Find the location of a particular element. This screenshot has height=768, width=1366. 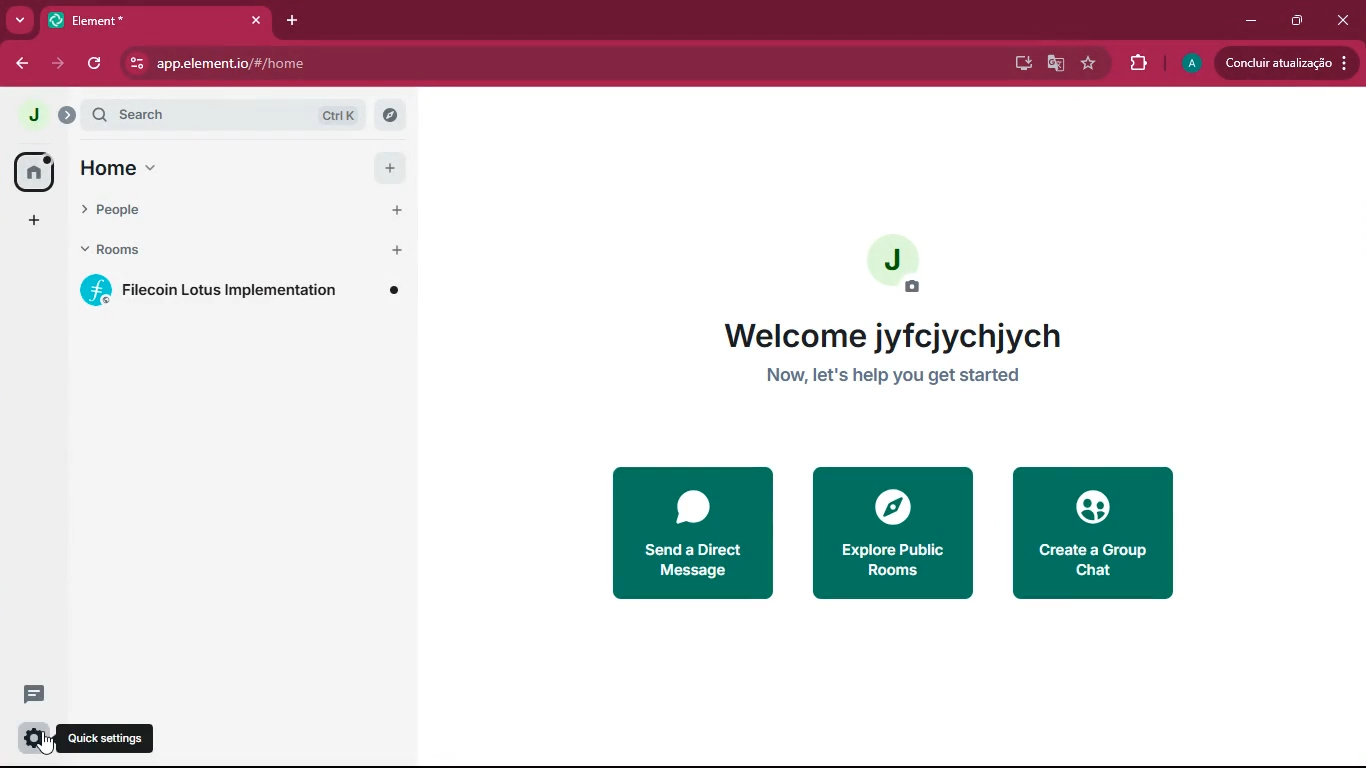

welcome jyfcjychjych is located at coordinates (892, 333).